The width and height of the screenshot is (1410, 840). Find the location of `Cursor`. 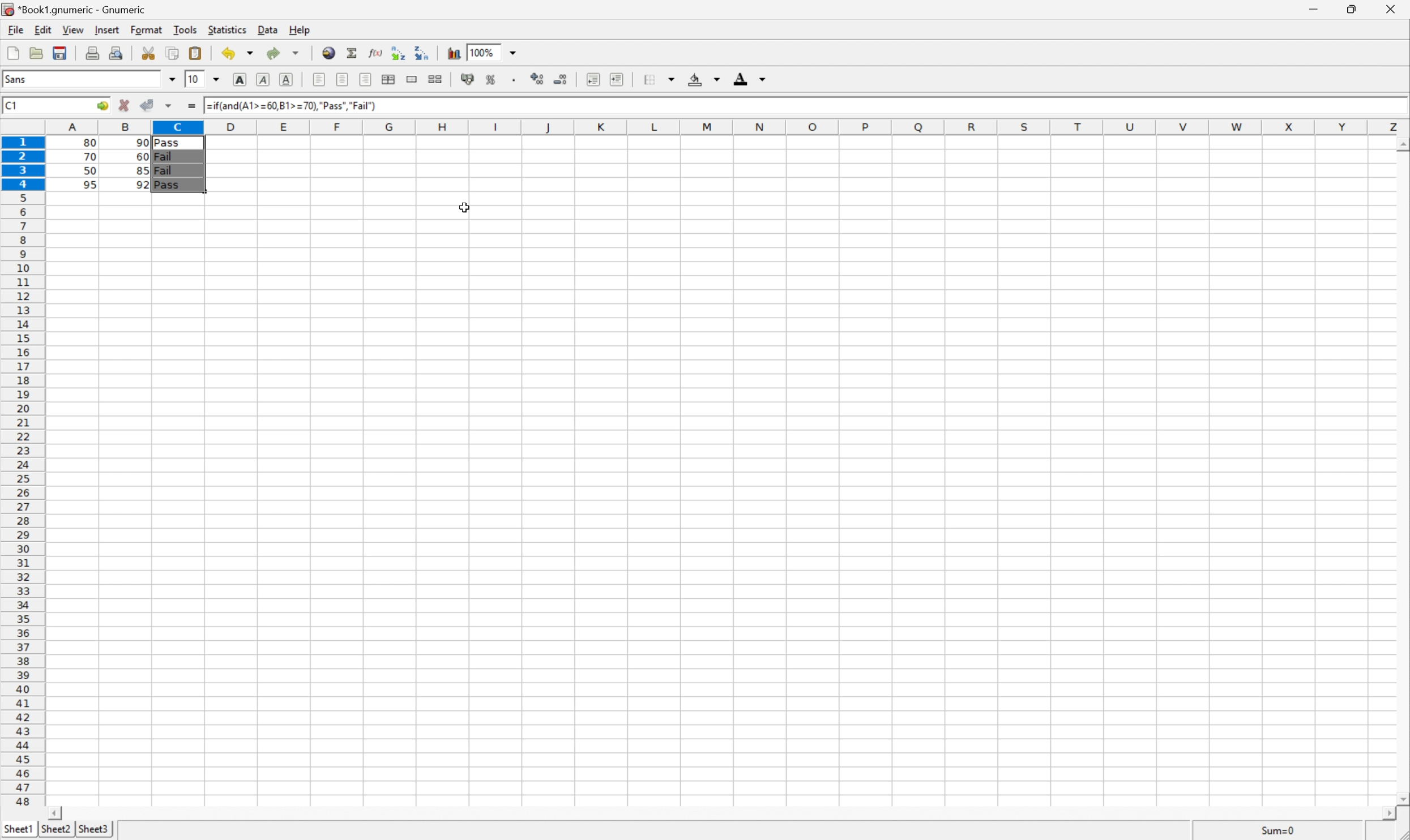

Cursor is located at coordinates (465, 209).